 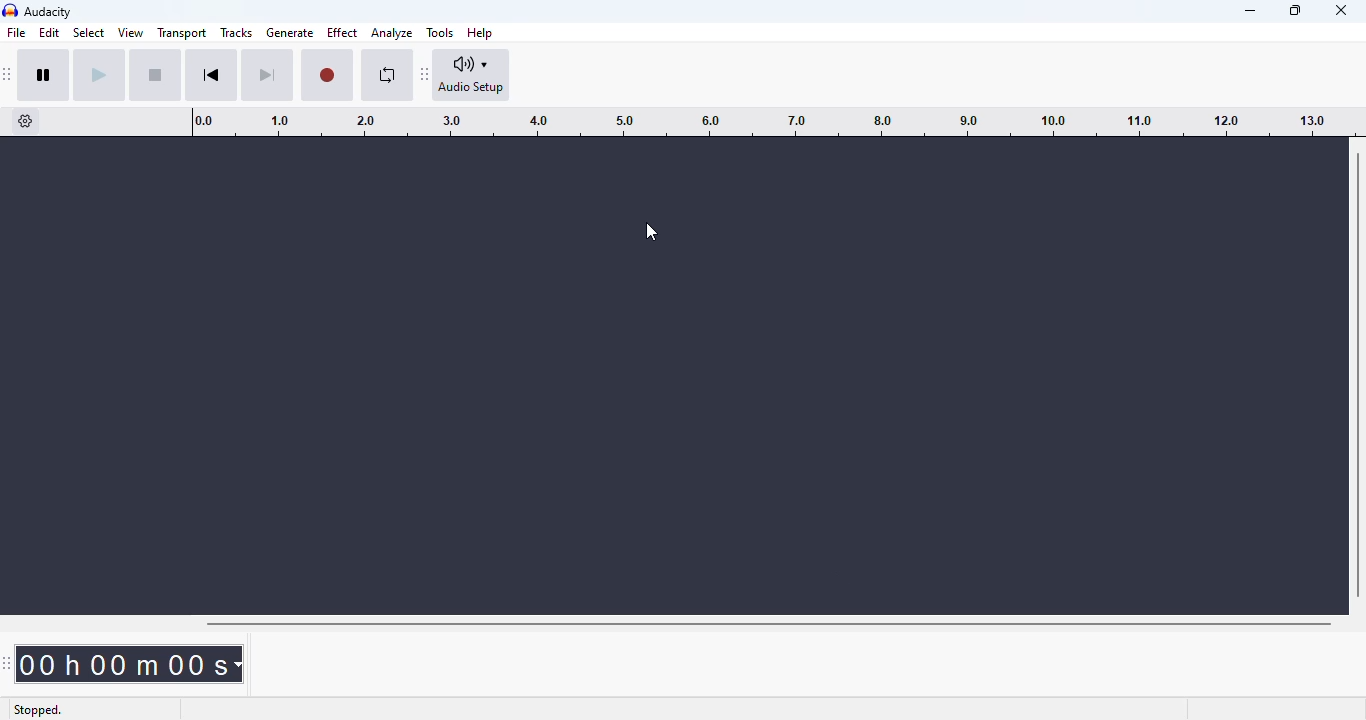 I want to click on cursor, so click(x=651, y=232).